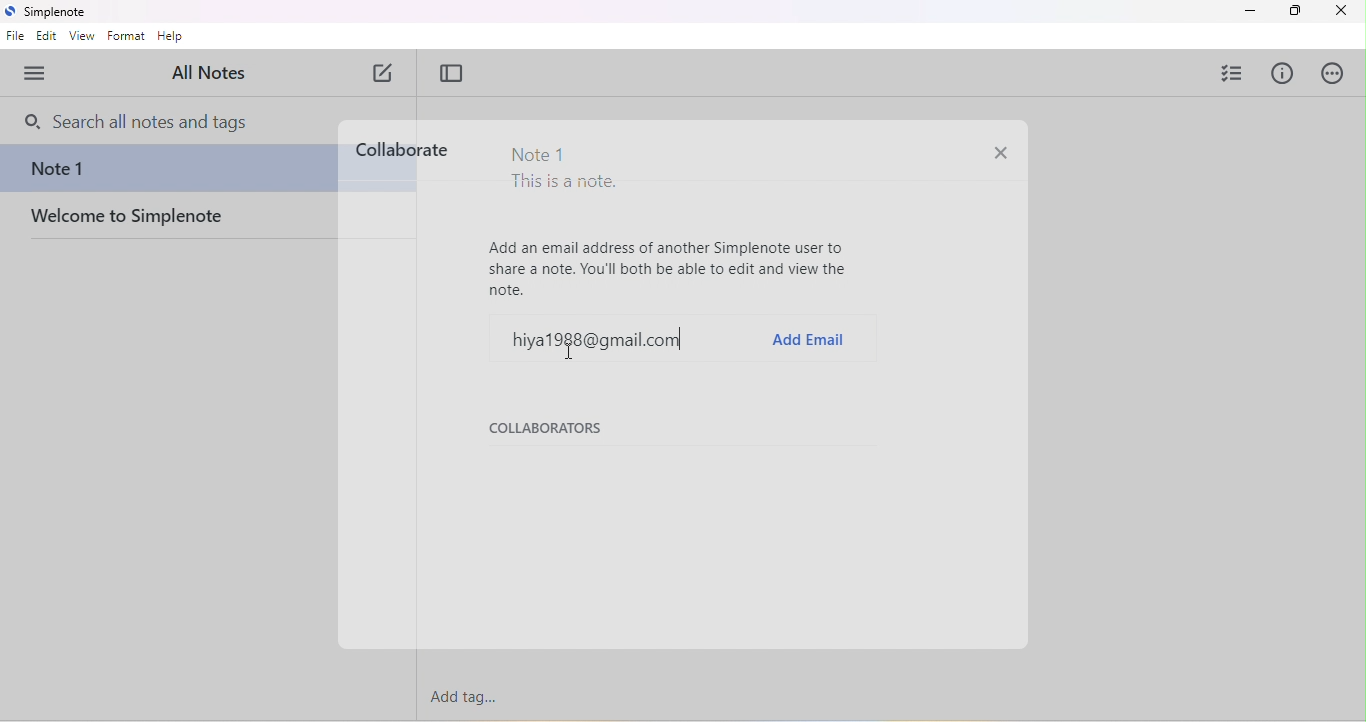  I want to click on help, so click(171, 37).